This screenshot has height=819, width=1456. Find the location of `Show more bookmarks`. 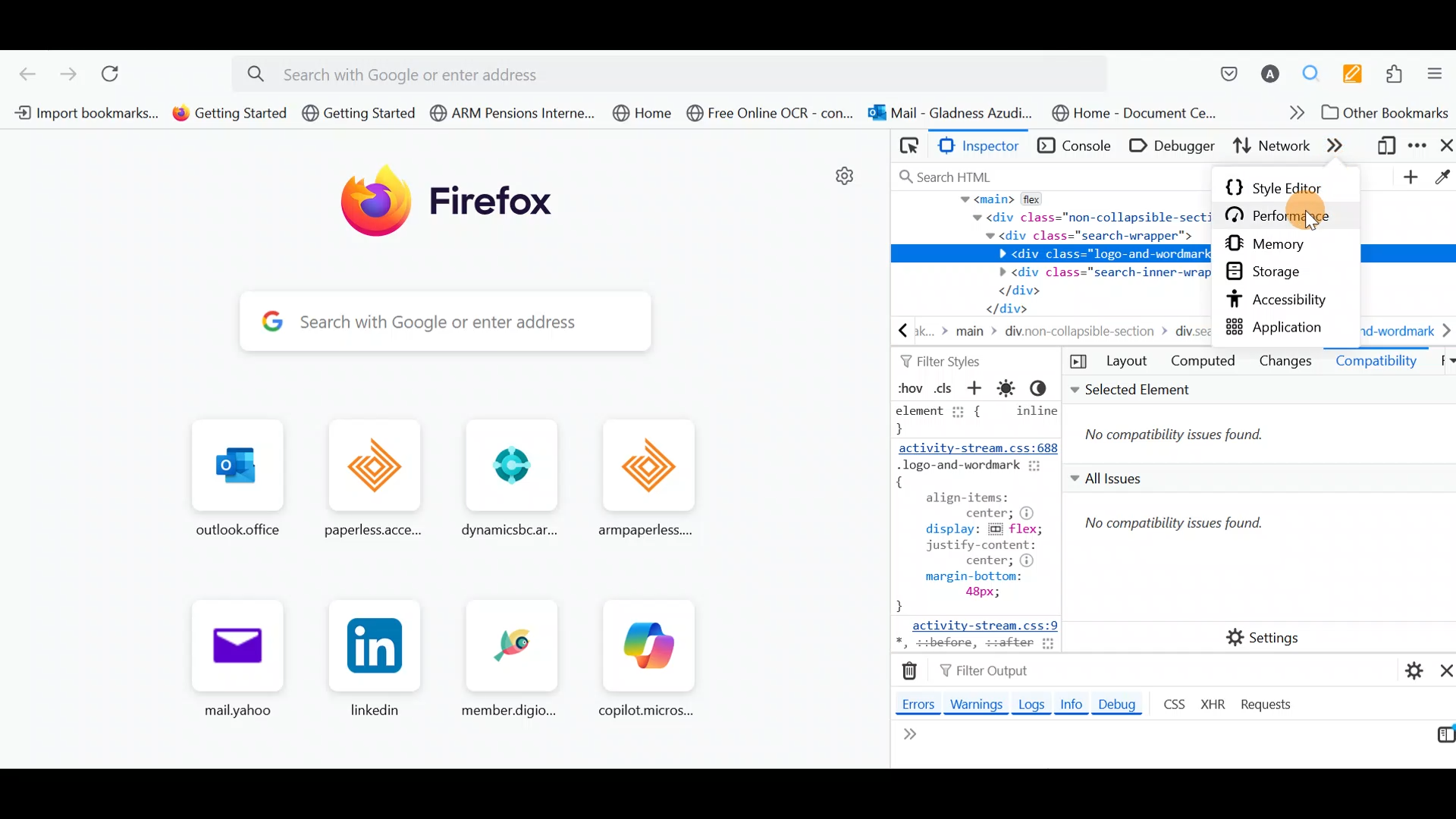

Show more bookmarks is located at coordinates (1291, 116).